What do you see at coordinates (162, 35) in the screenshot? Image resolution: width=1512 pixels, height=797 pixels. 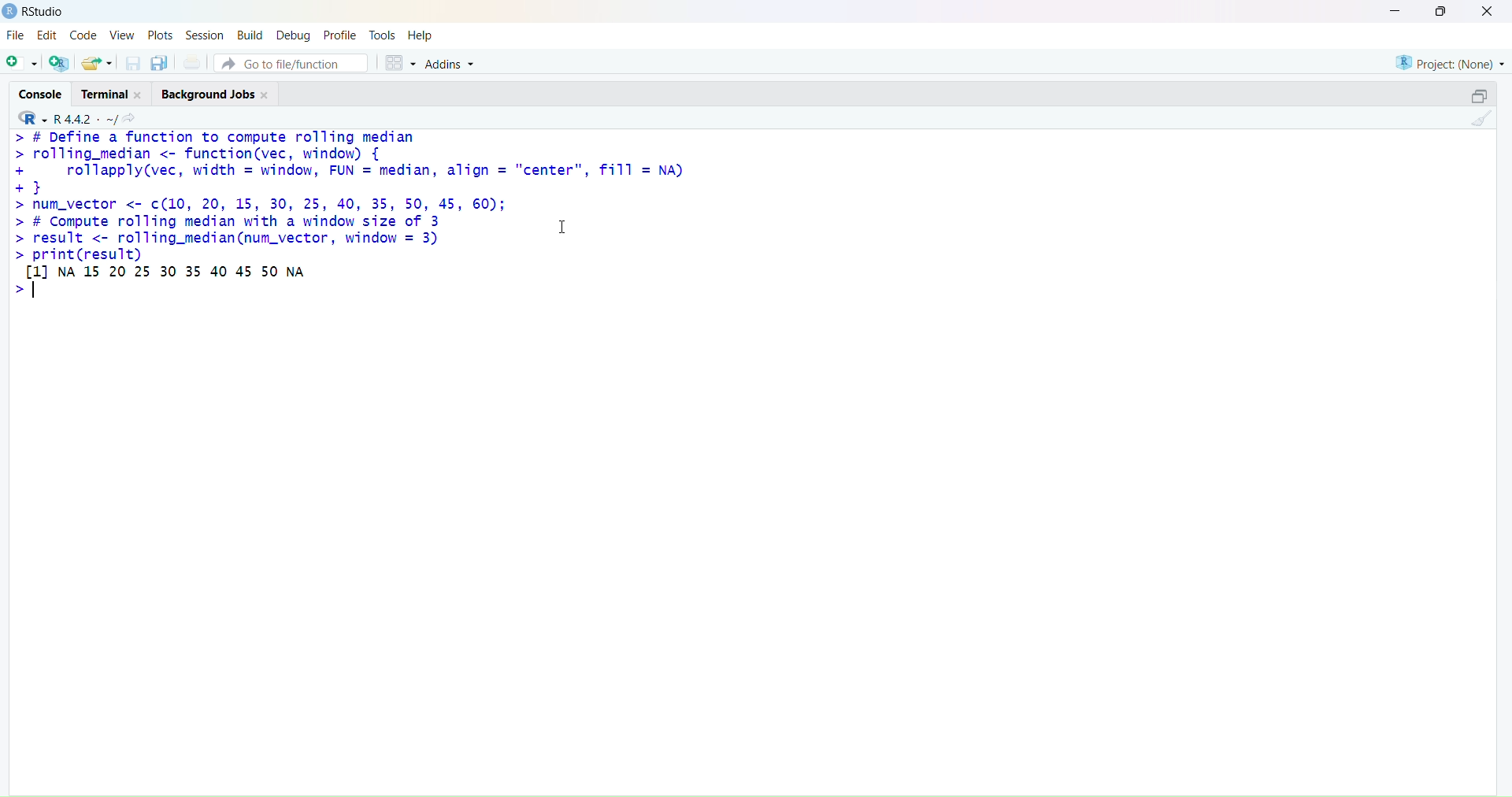 I see `plots` at bounding box center [162, 35].